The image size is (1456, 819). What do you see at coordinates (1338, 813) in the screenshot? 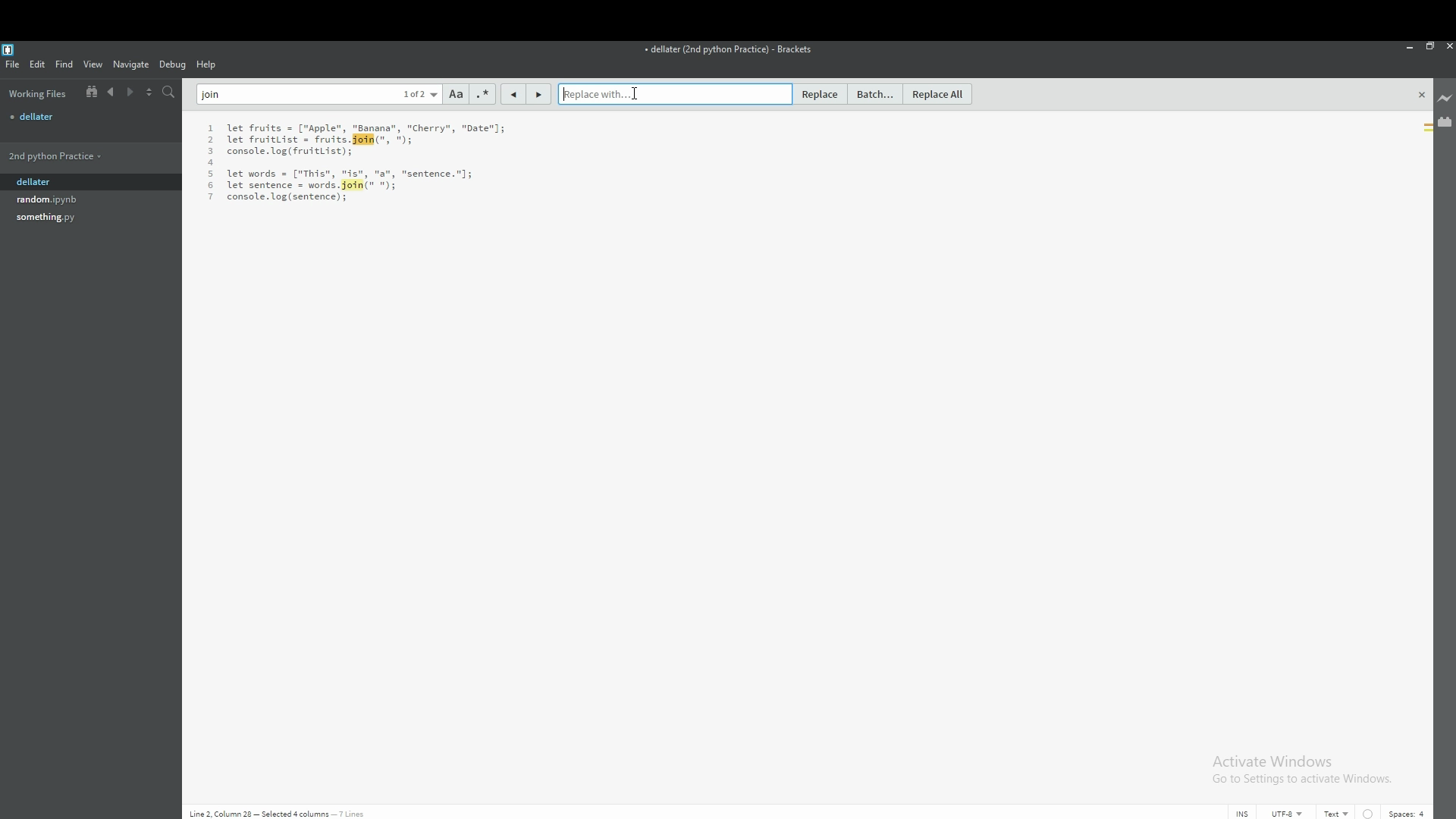
I see `text` at bounding box center [1338, 813].